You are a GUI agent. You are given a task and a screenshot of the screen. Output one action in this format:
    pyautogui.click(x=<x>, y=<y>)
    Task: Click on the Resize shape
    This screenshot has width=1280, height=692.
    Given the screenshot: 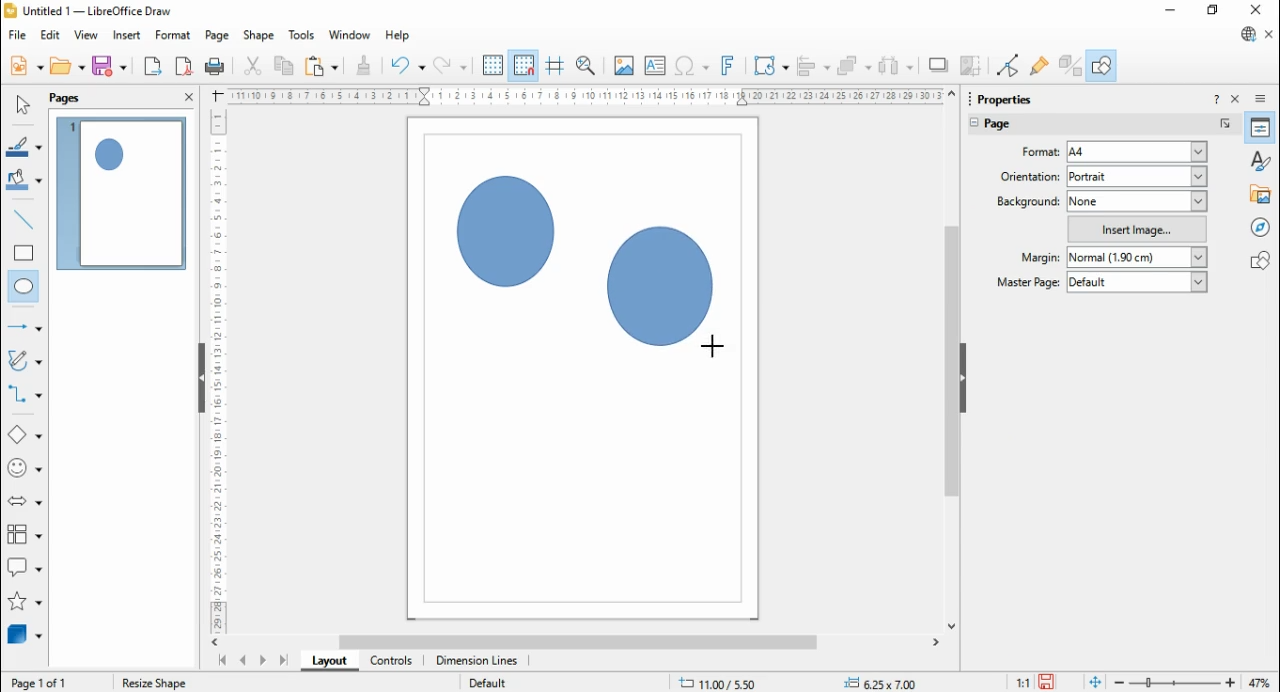 What is the action you would take?
    pyautogui.click(x=154, y=680)
    